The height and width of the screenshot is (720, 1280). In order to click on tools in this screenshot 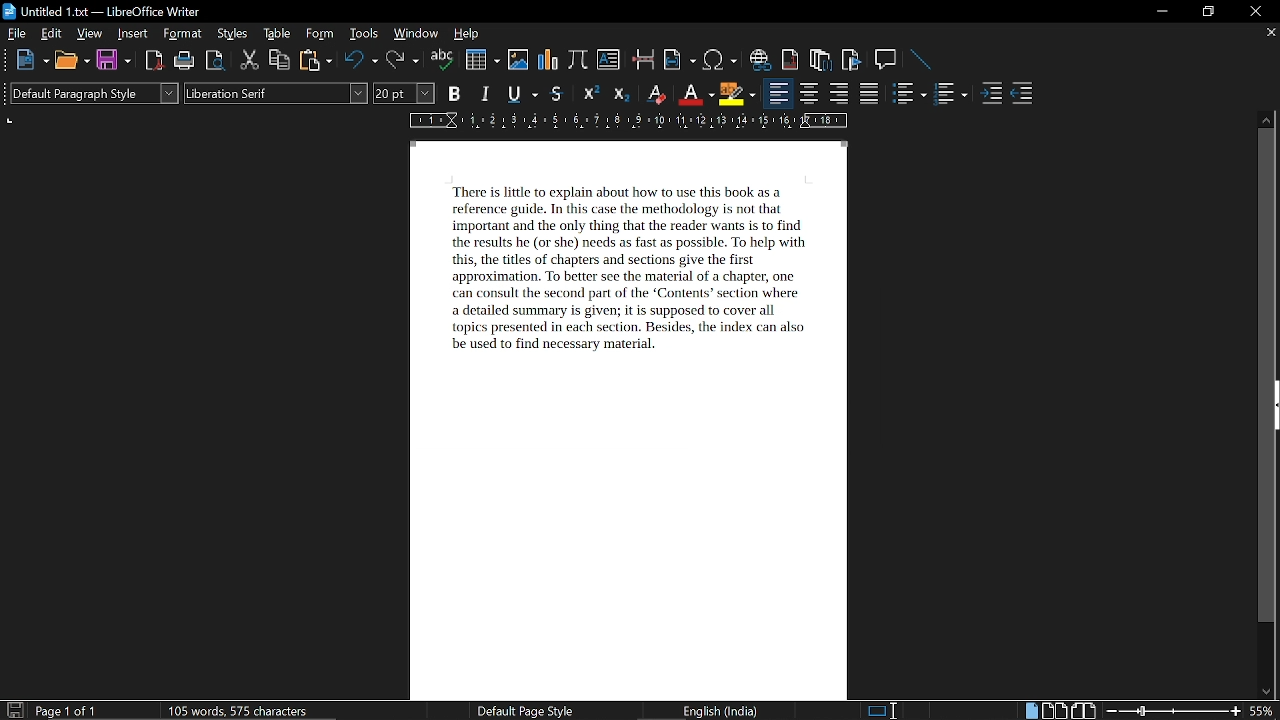, I will do `click(362, 33)`.